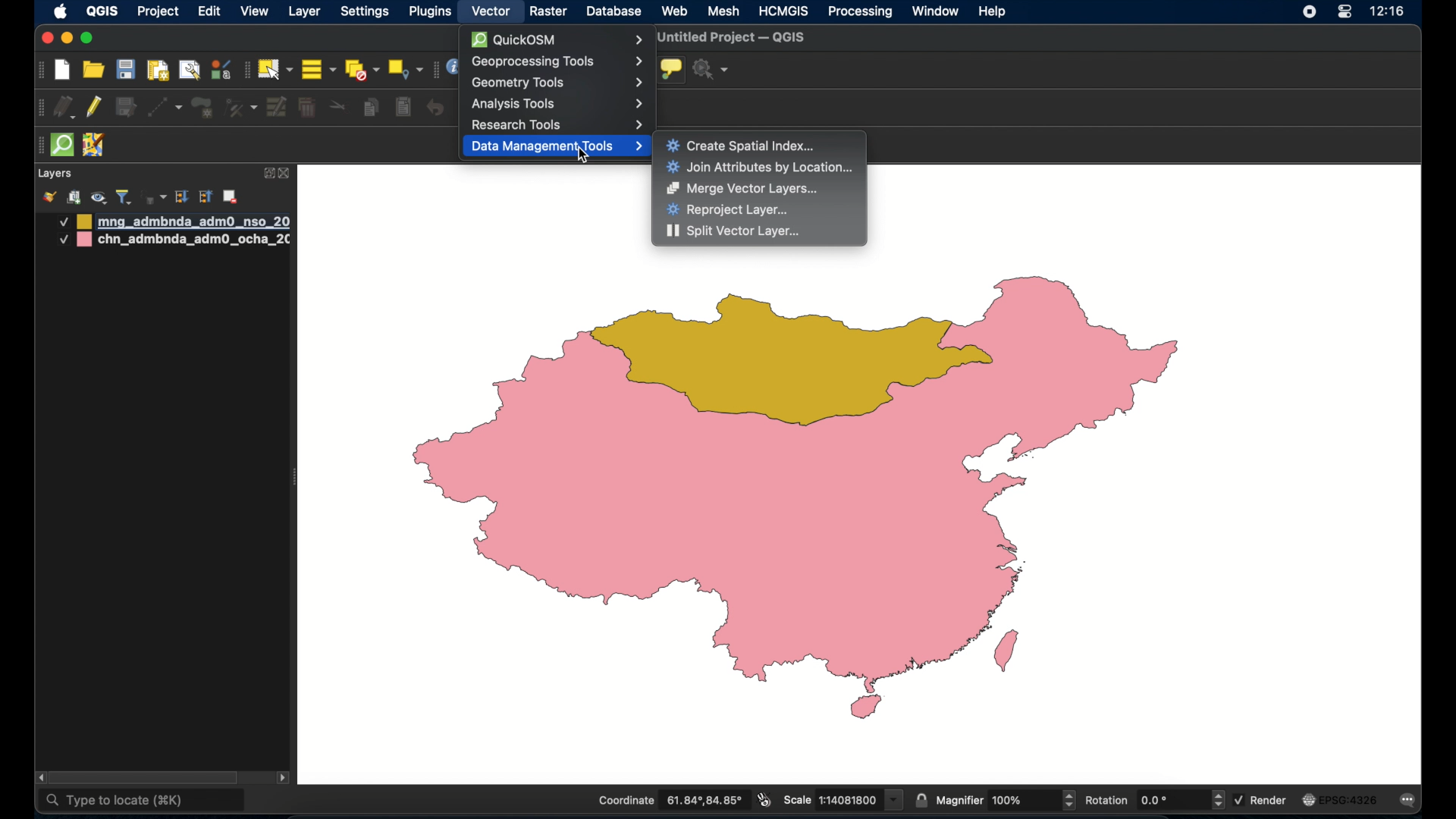 This screenshot has width=1456, height=819. Describe the element at coordinates (233, 196) in the screenshot. I see `remove layer/group` at that location.